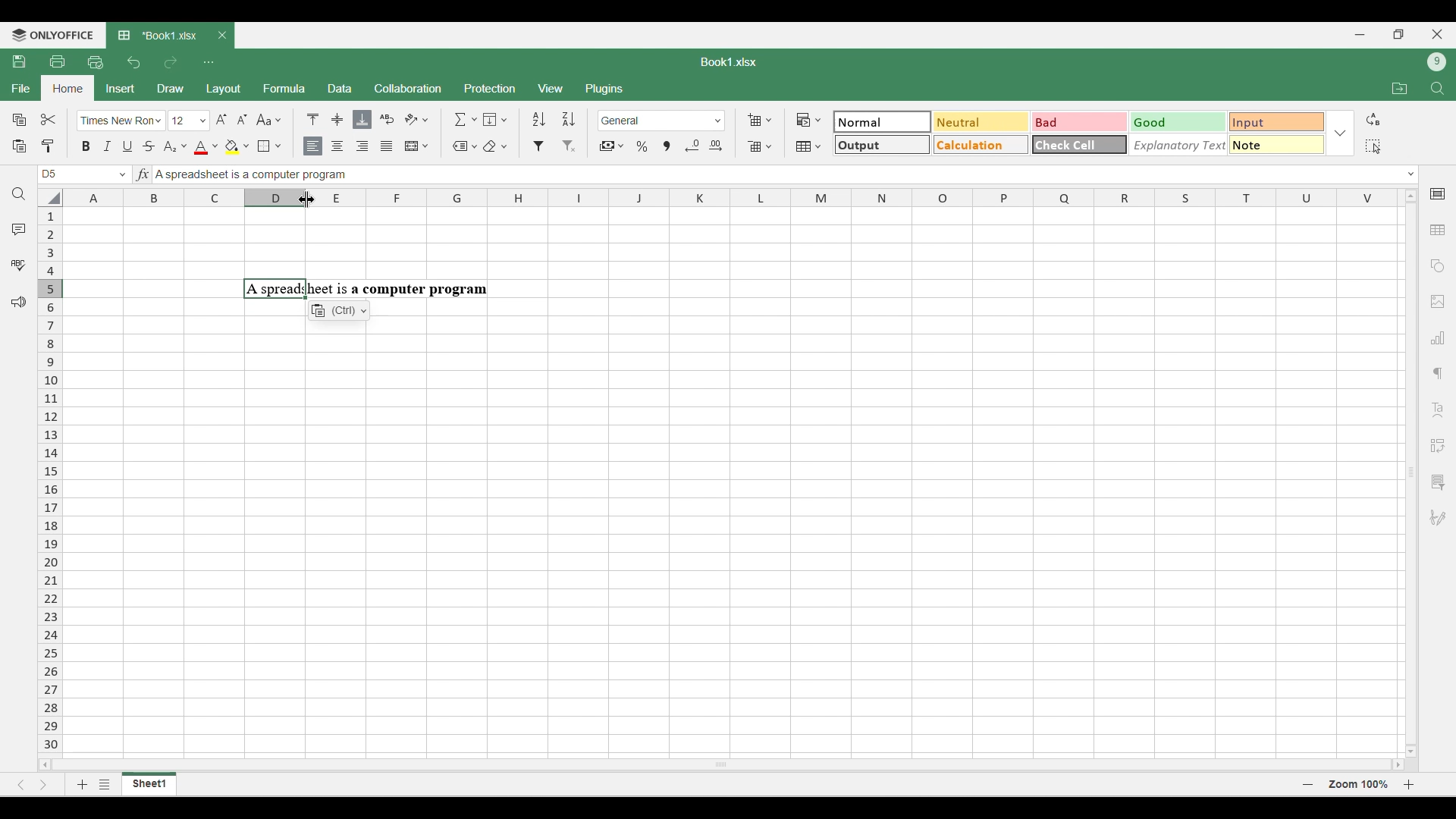 The width and height of the screenshot is (1456, 819). What do you see at coordinates (1437, 62) in the screenshot?
I see `Current account` at bounding box center [1437, 62].